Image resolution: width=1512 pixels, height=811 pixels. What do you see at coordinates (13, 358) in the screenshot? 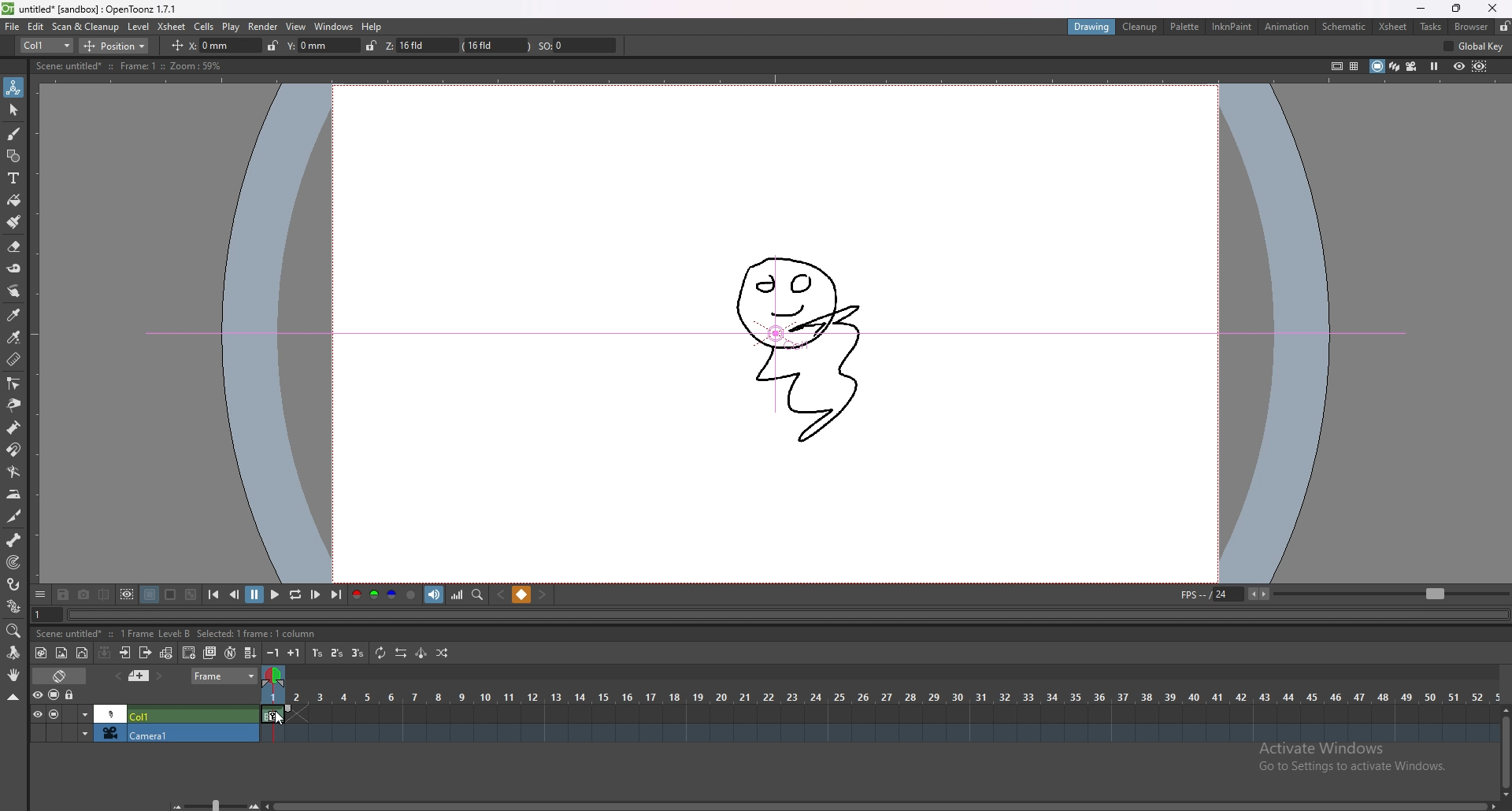
I see `ruler` at bounding box center [13, 358].